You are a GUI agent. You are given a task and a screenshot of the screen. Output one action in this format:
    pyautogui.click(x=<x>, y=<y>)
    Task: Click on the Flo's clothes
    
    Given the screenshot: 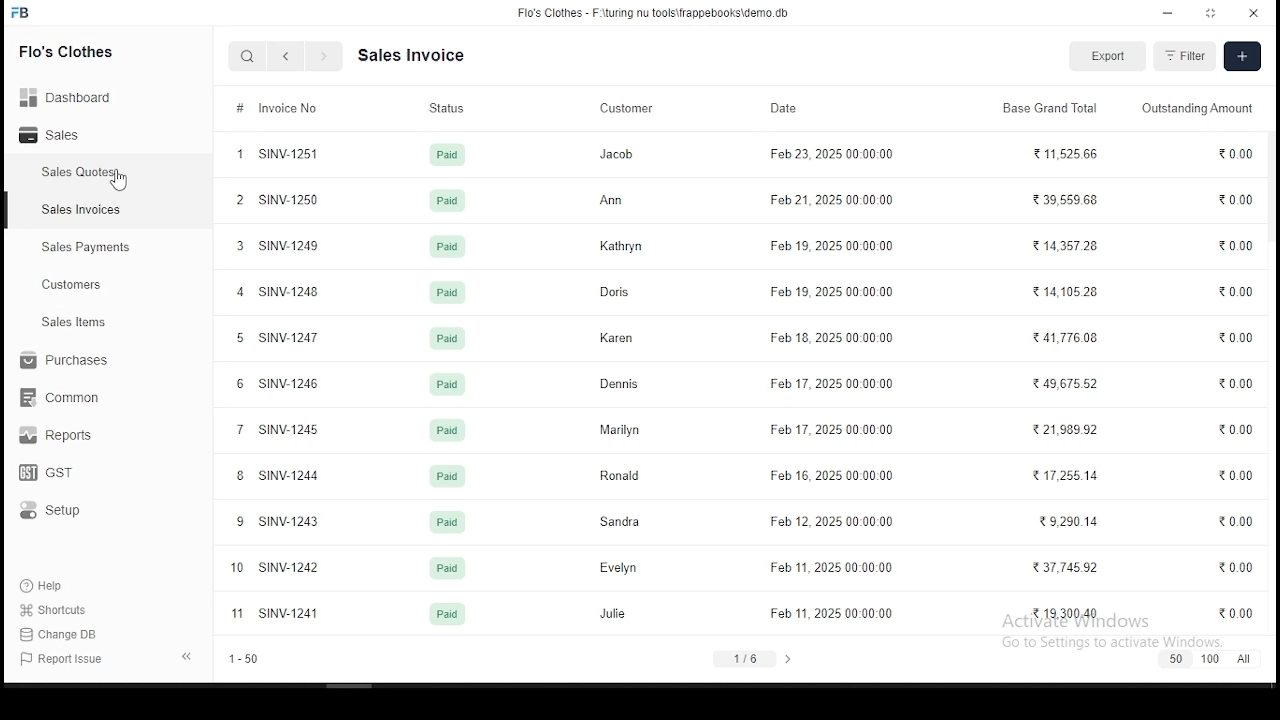 What is the action you would take?
    pyautogui.click(x=82, y=53)
    